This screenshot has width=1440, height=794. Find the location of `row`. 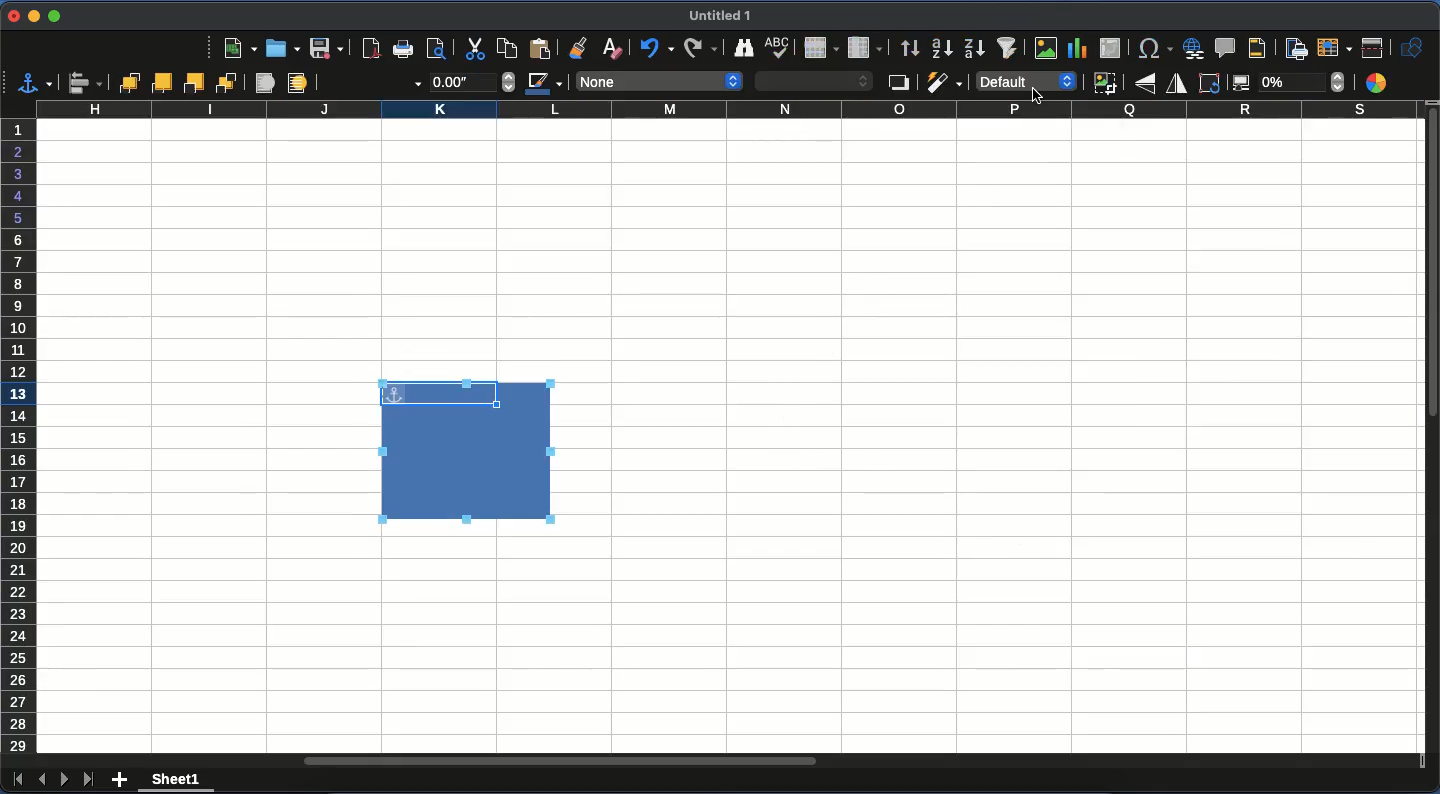

row is located at coordinates (821, 49).